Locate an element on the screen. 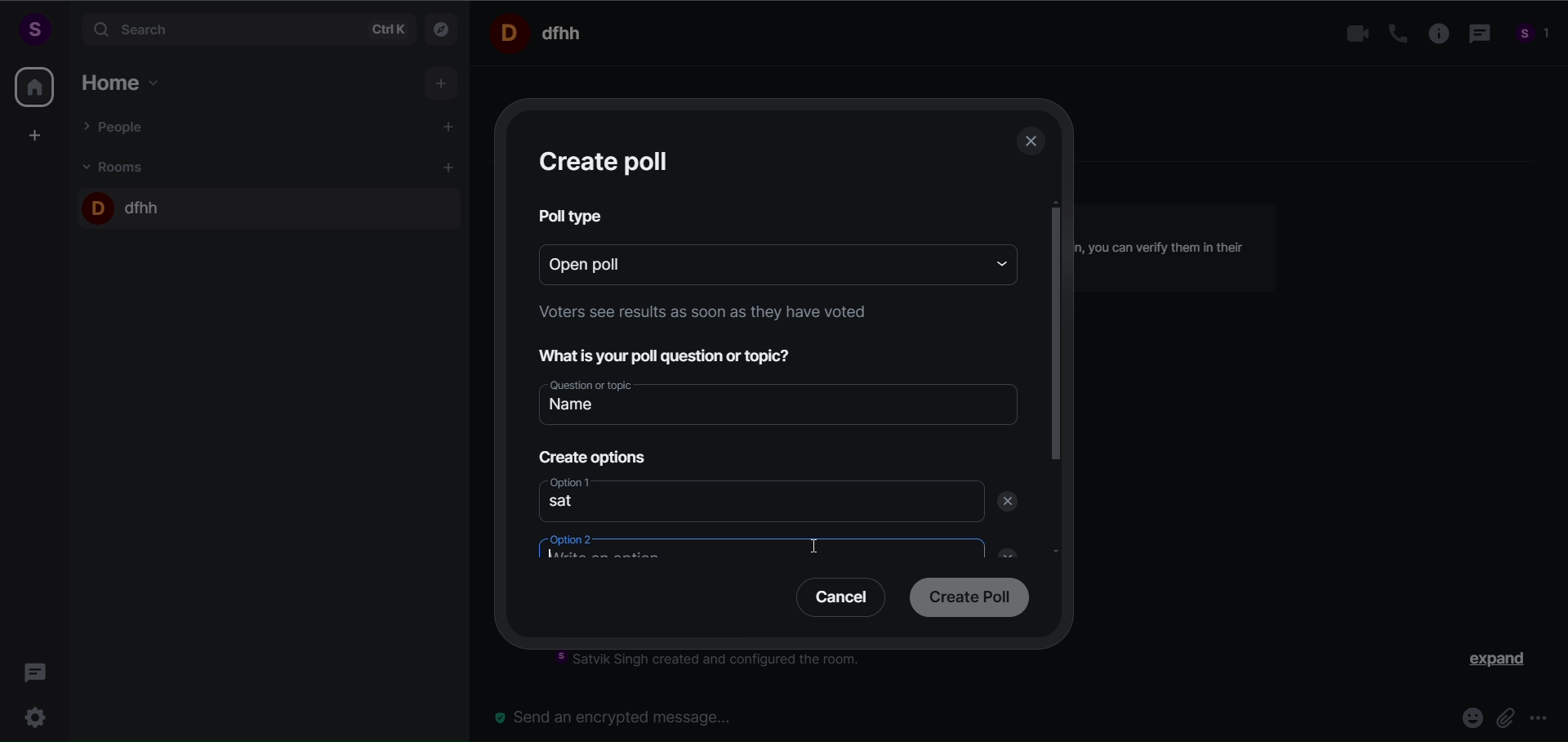  option 1 is located at coordinates (759, 503).